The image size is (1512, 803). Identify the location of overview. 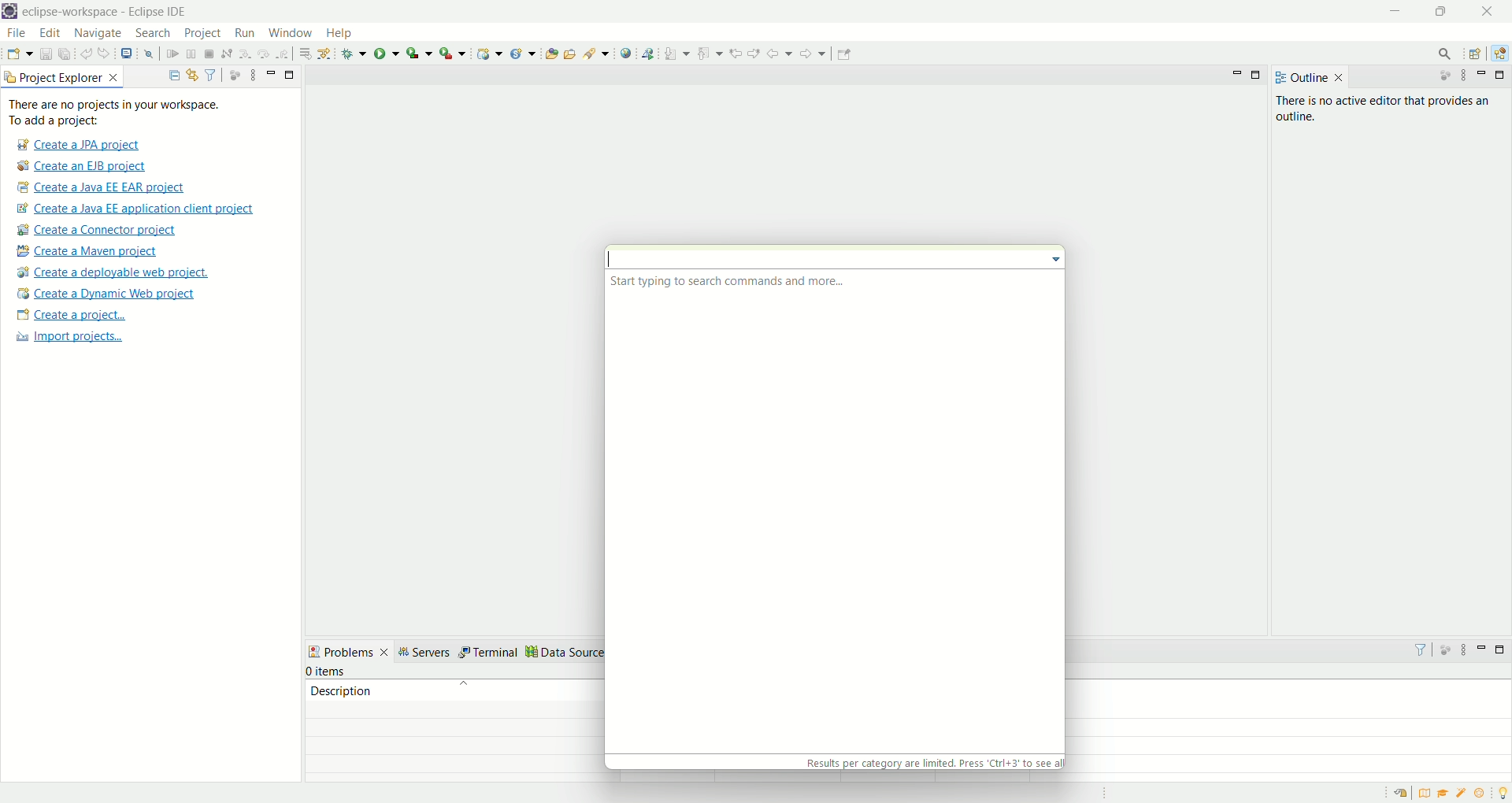
(1424, 794).